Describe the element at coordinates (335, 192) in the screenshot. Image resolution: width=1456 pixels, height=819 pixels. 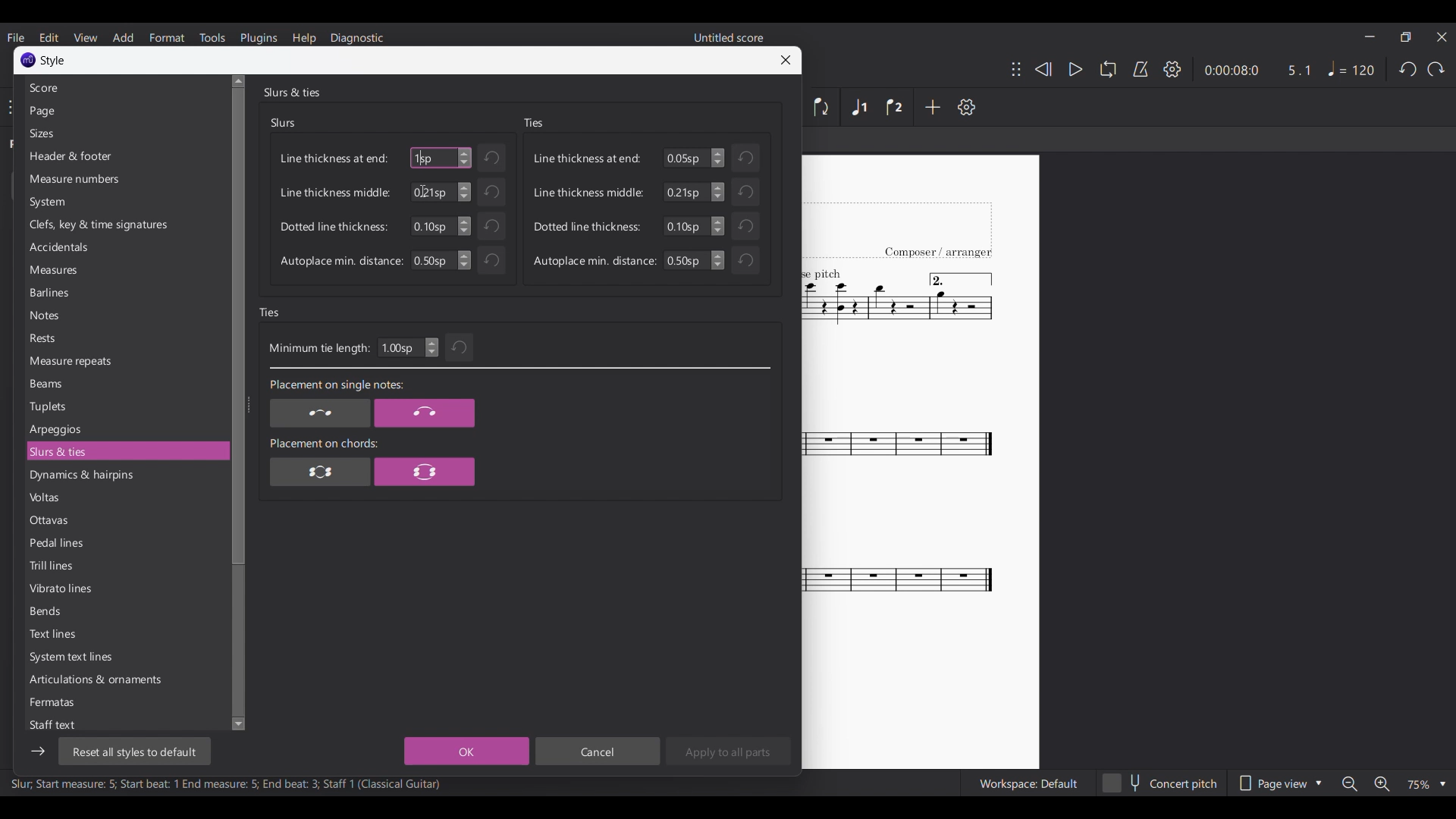
I see `Line thickness middle` at that location.